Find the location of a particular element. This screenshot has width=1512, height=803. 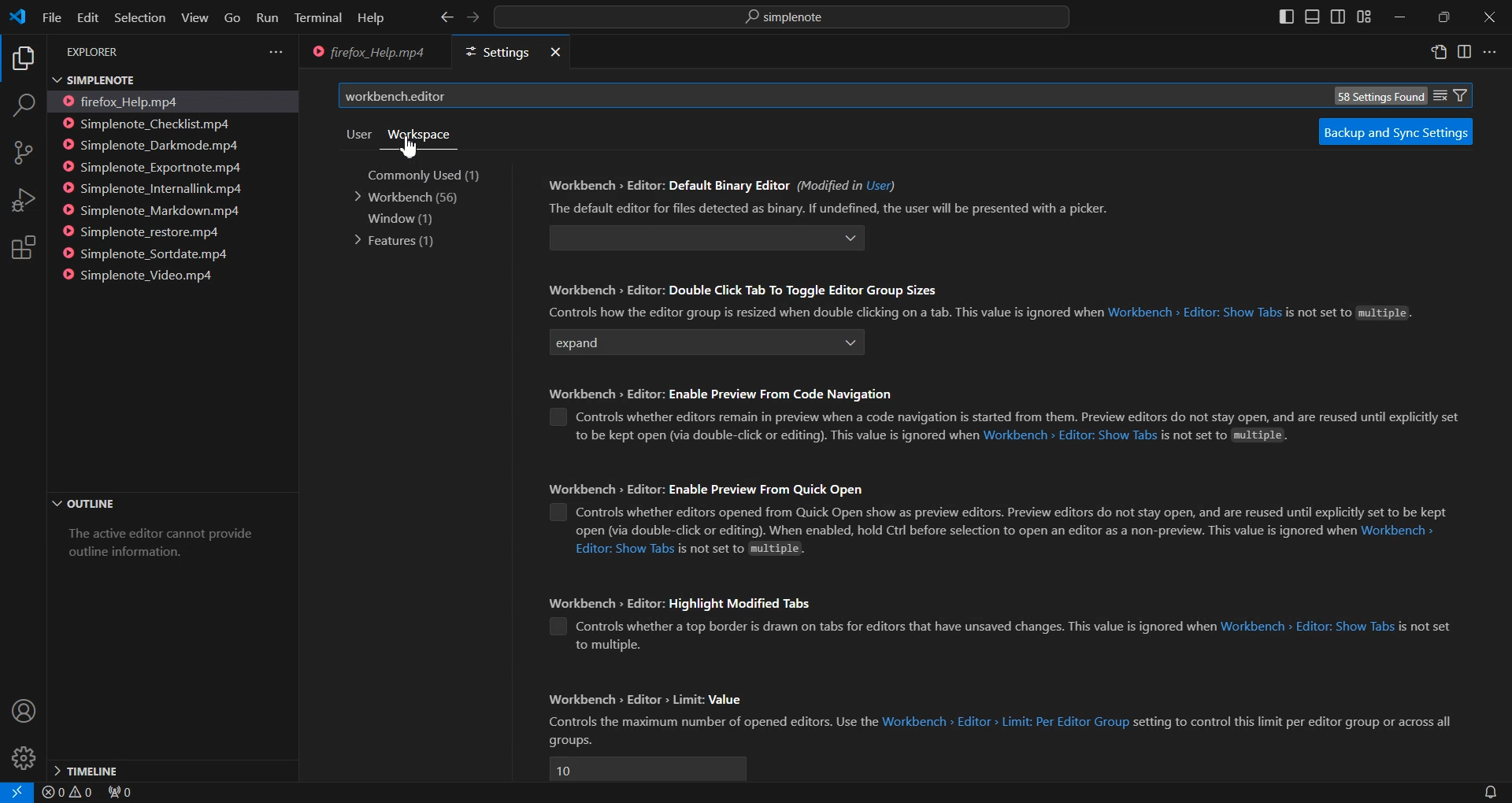

Workbench > Editor: Enable Preview From Code Navigation is located at coordinates (735, 391).